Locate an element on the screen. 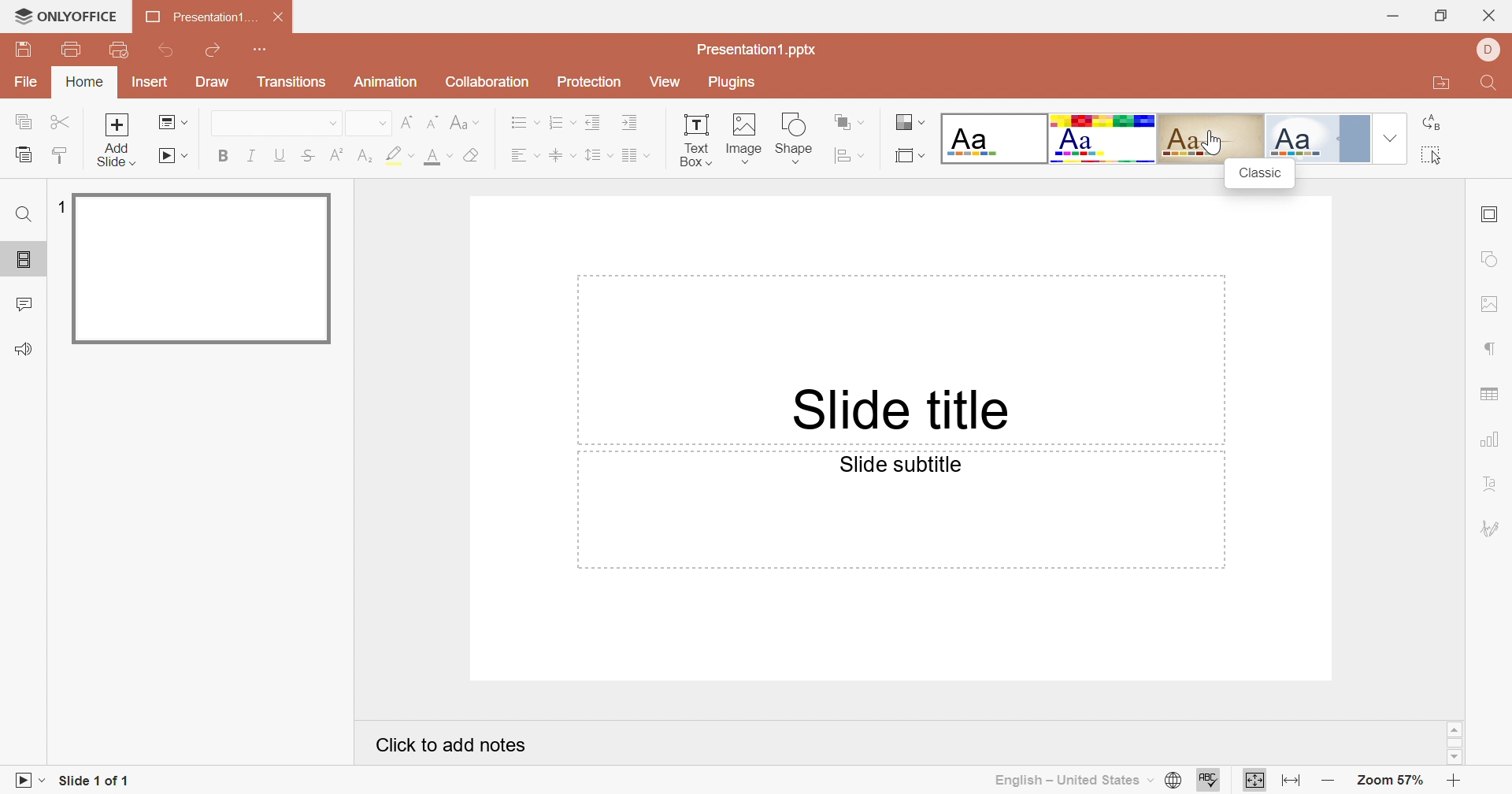  Drop Down is located at coordinates (382, 123).